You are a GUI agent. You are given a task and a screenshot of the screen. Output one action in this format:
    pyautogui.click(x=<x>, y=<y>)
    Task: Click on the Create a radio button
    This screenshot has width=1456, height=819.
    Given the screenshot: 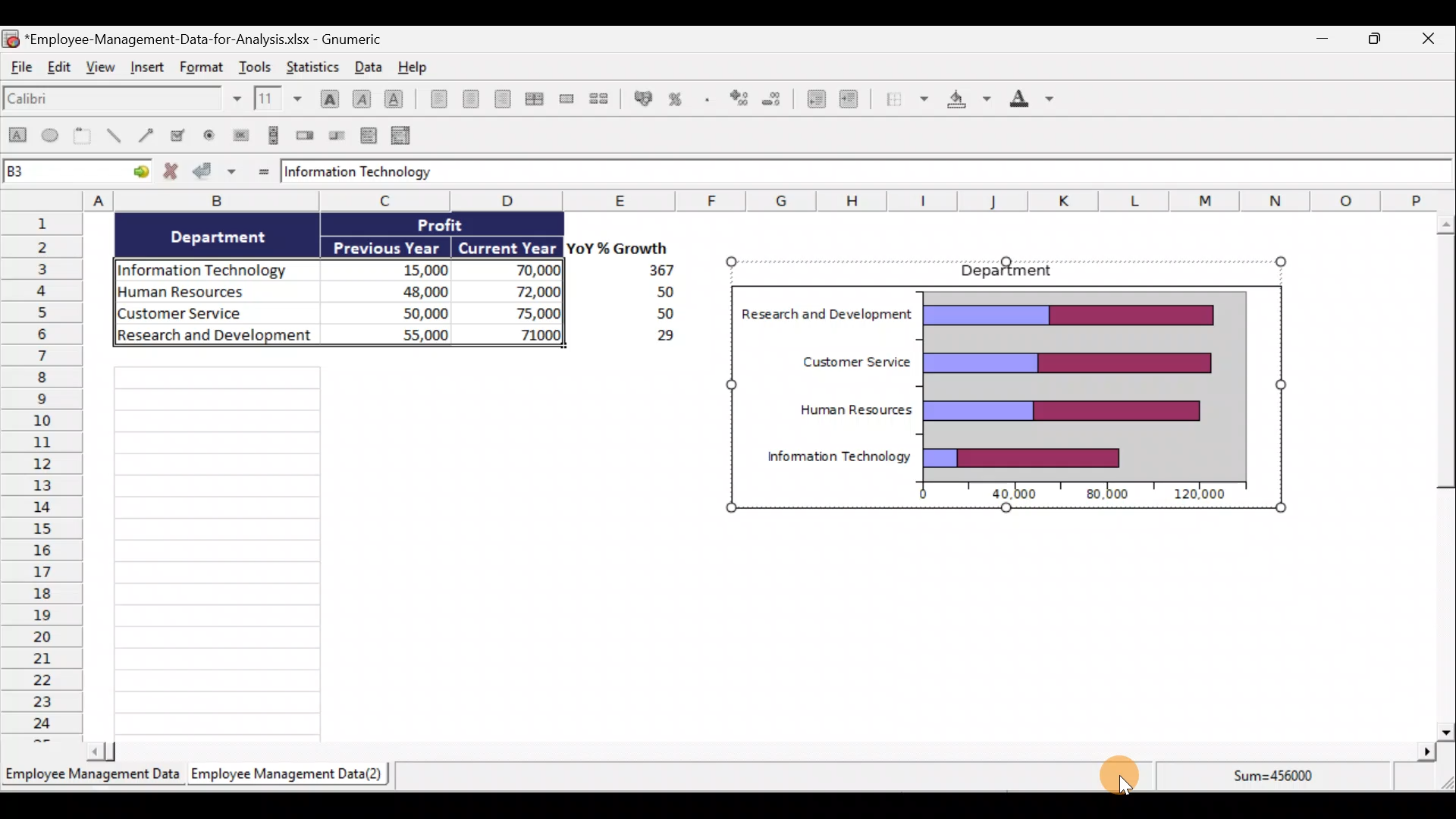 What is the action you would take?
    pyautogui.click(x=212, y=134)
    